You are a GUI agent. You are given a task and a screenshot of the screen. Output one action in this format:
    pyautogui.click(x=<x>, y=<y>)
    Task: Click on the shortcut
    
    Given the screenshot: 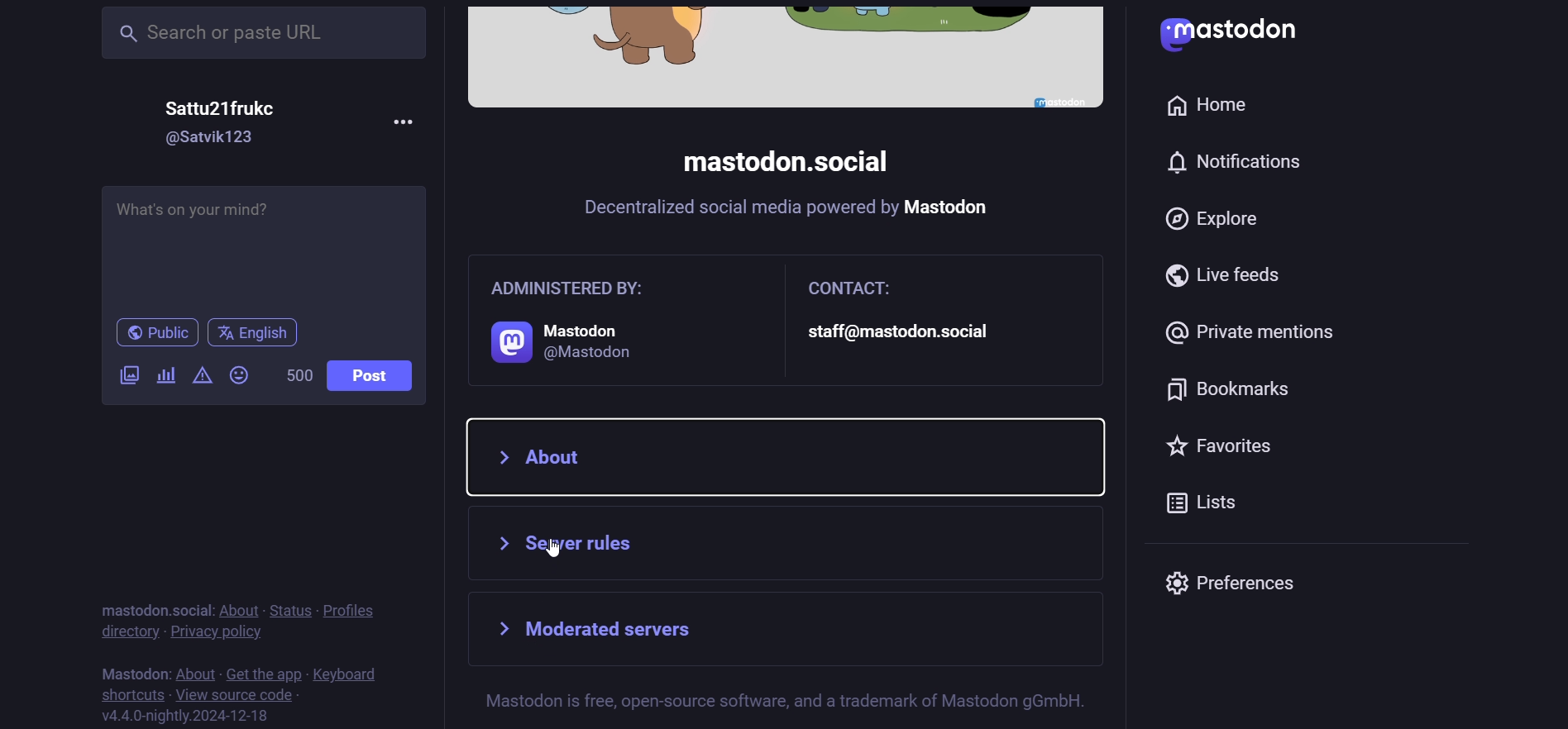 What is the action you would take?
    pyautogui.click(x=127, y=693)
    